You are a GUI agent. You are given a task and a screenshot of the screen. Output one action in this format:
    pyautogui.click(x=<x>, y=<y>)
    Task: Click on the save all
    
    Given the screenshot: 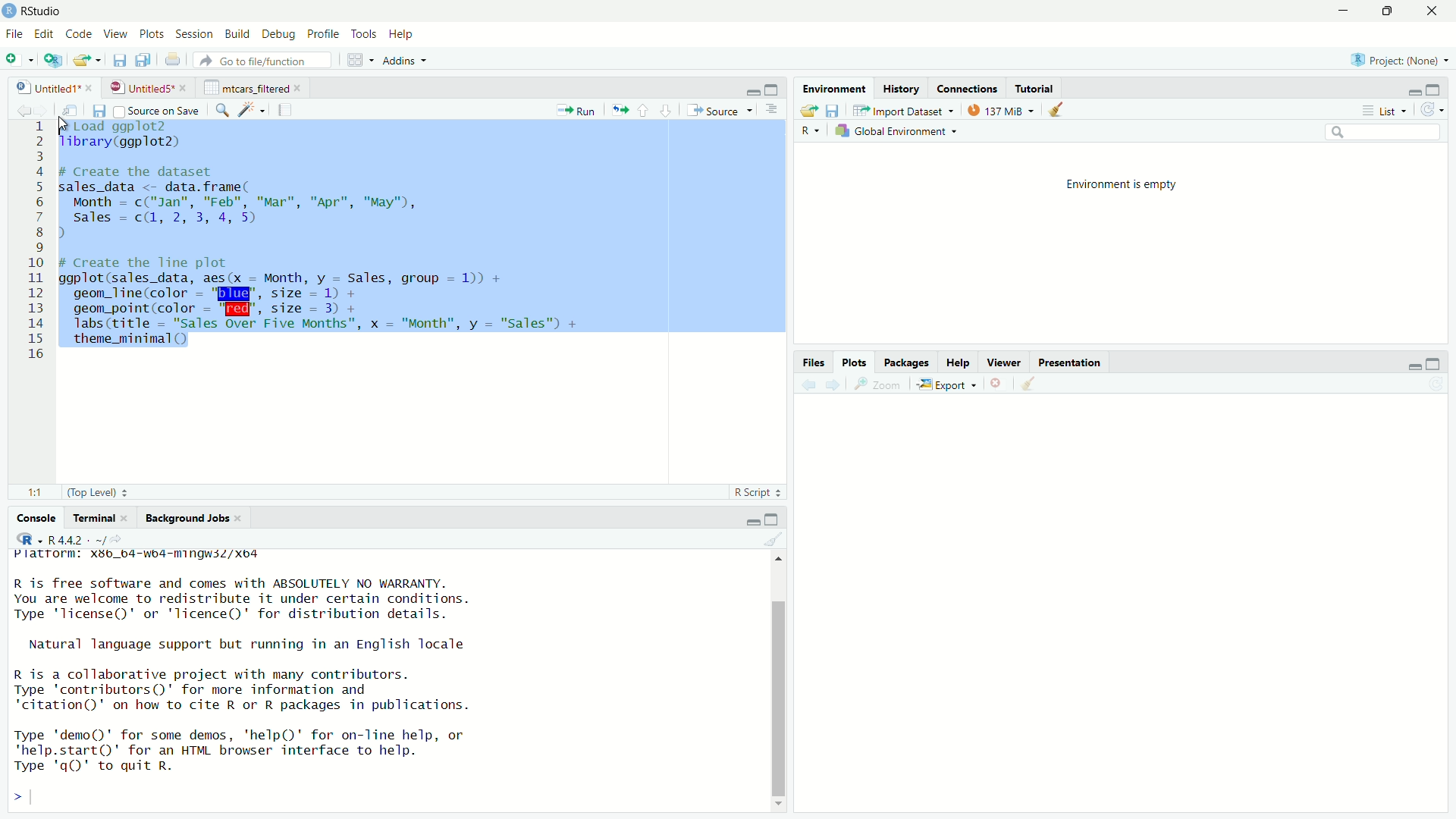 What is the action you would take?
    pyautogui.click(x=143, y=60)
    